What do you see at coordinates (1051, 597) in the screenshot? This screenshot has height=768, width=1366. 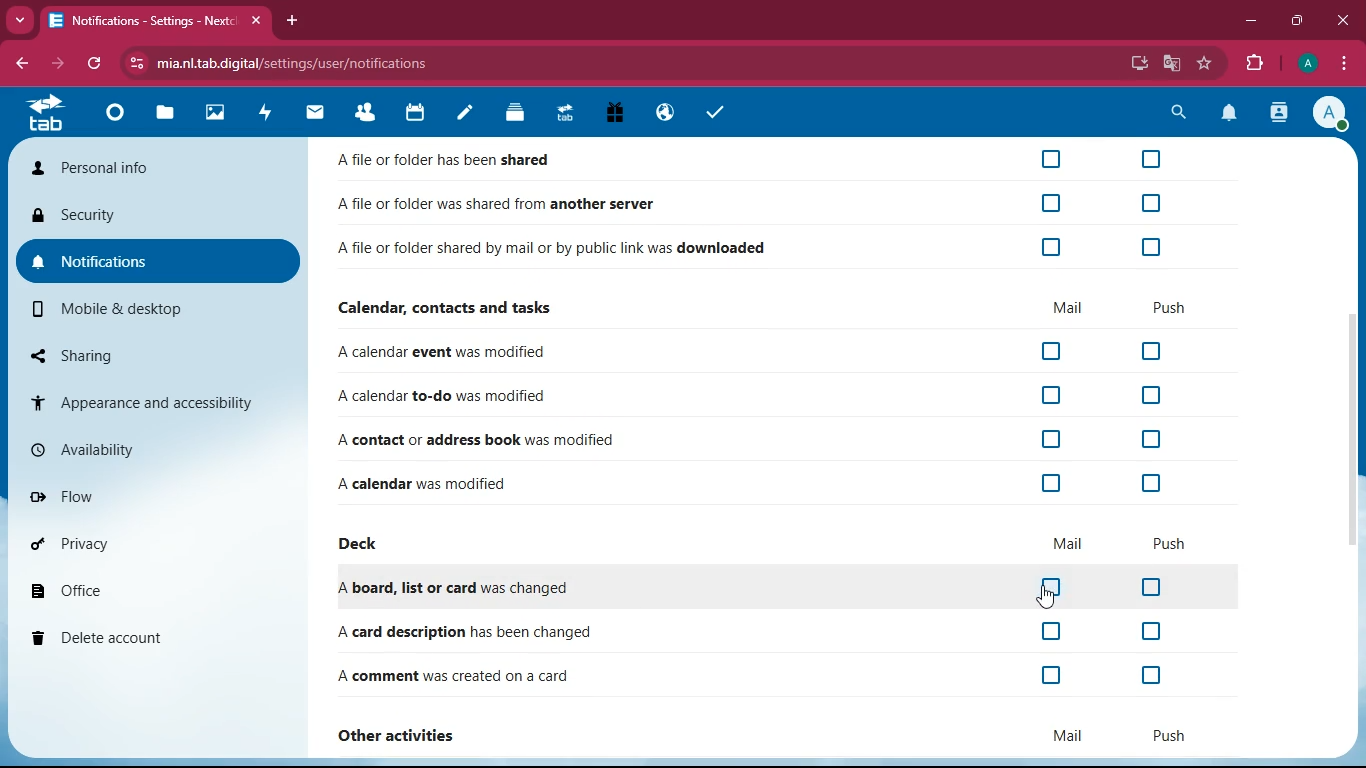 I see `cursor` at bounding box center [1051, 597].